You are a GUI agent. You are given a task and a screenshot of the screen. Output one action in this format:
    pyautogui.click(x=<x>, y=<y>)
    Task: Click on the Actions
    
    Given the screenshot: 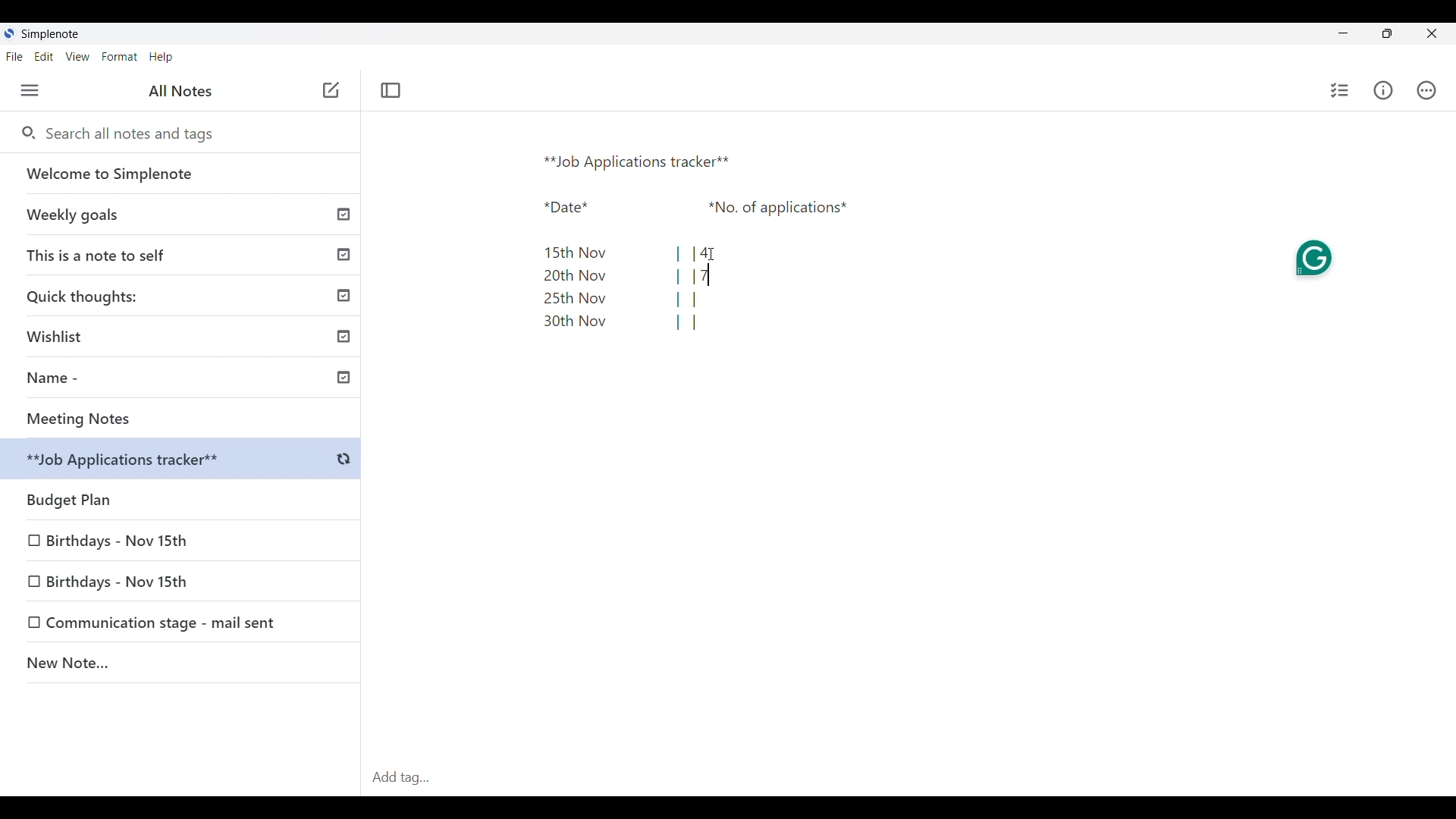 What is the action you would take?
    pyautogui.click(x=1426, y=90)
    